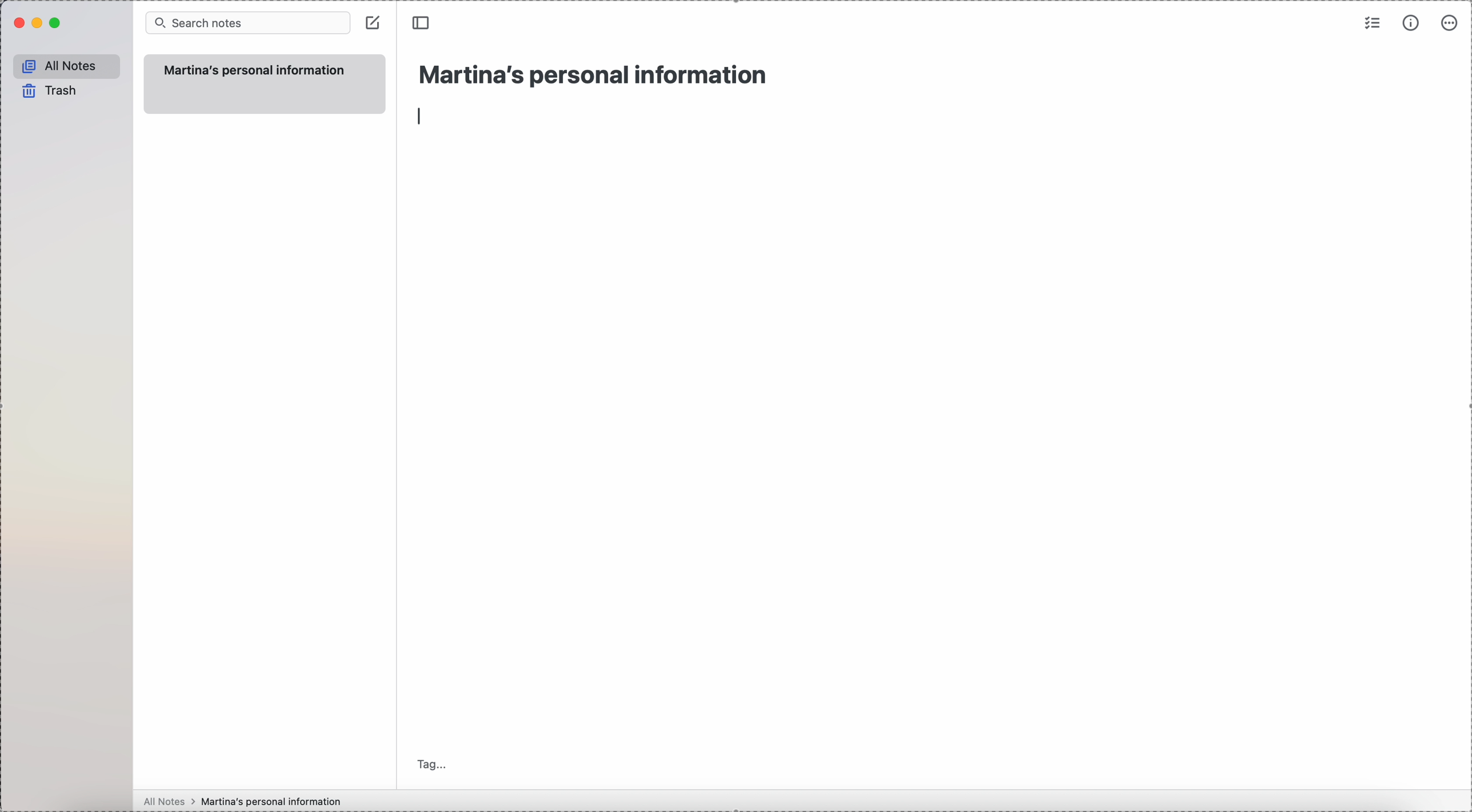  I want to click on check list, so click(1371, 25).